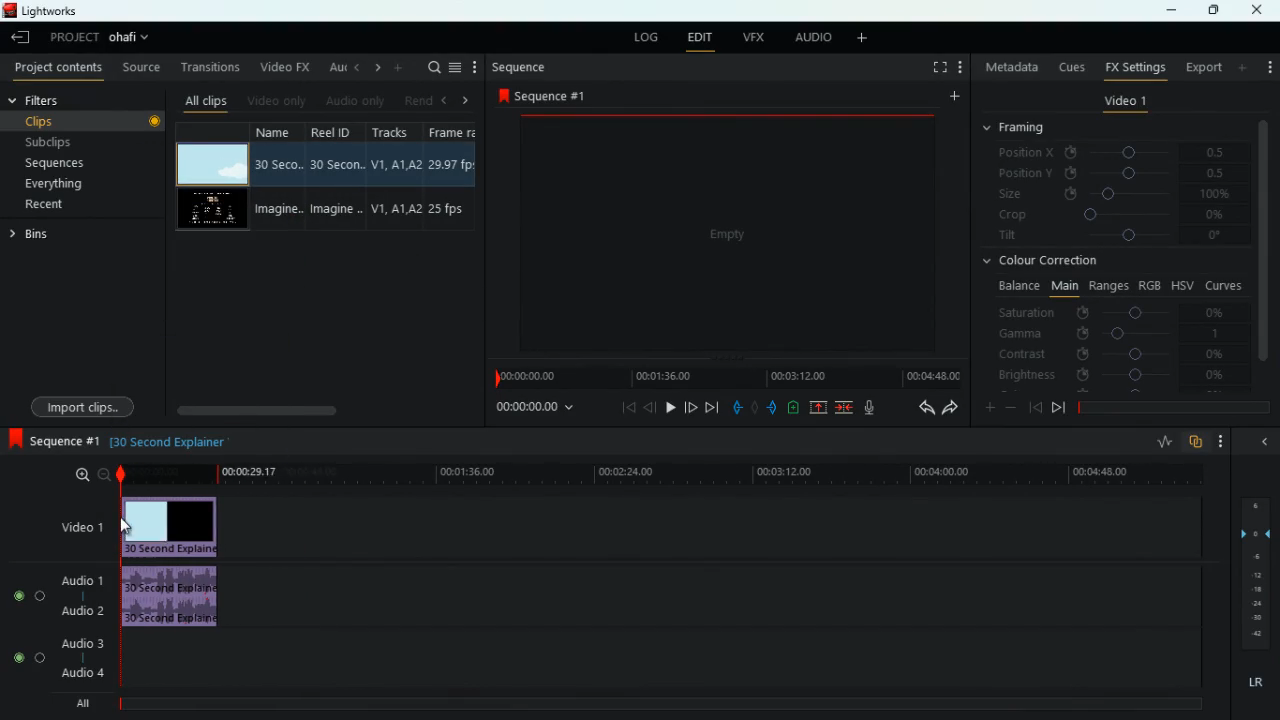  What do you see at coordinates (1243, 67) in the screenshot?
I see `more` at bounding box center [1243, 67].